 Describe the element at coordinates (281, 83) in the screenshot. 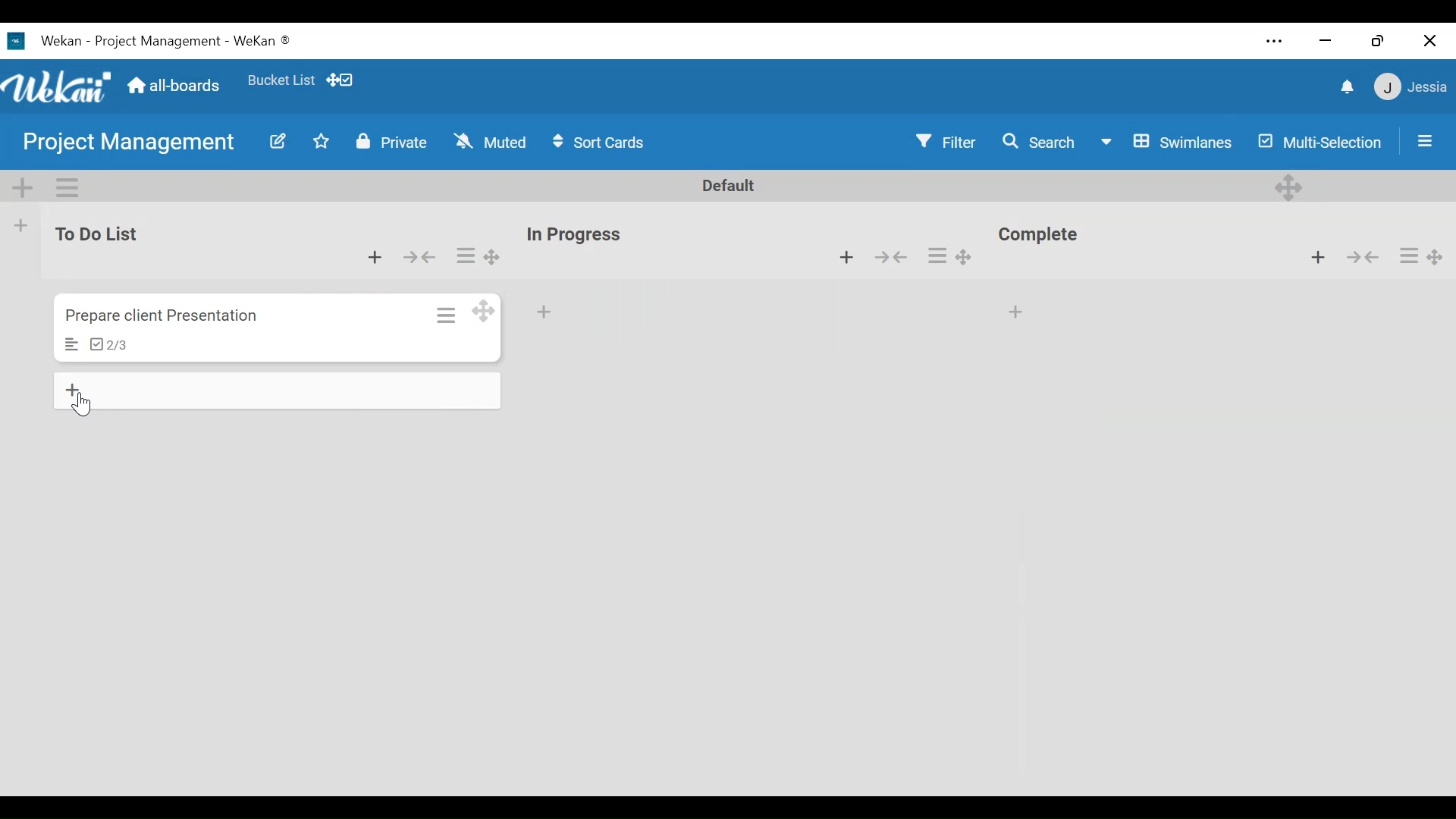

I see `Bucket list` at that location.